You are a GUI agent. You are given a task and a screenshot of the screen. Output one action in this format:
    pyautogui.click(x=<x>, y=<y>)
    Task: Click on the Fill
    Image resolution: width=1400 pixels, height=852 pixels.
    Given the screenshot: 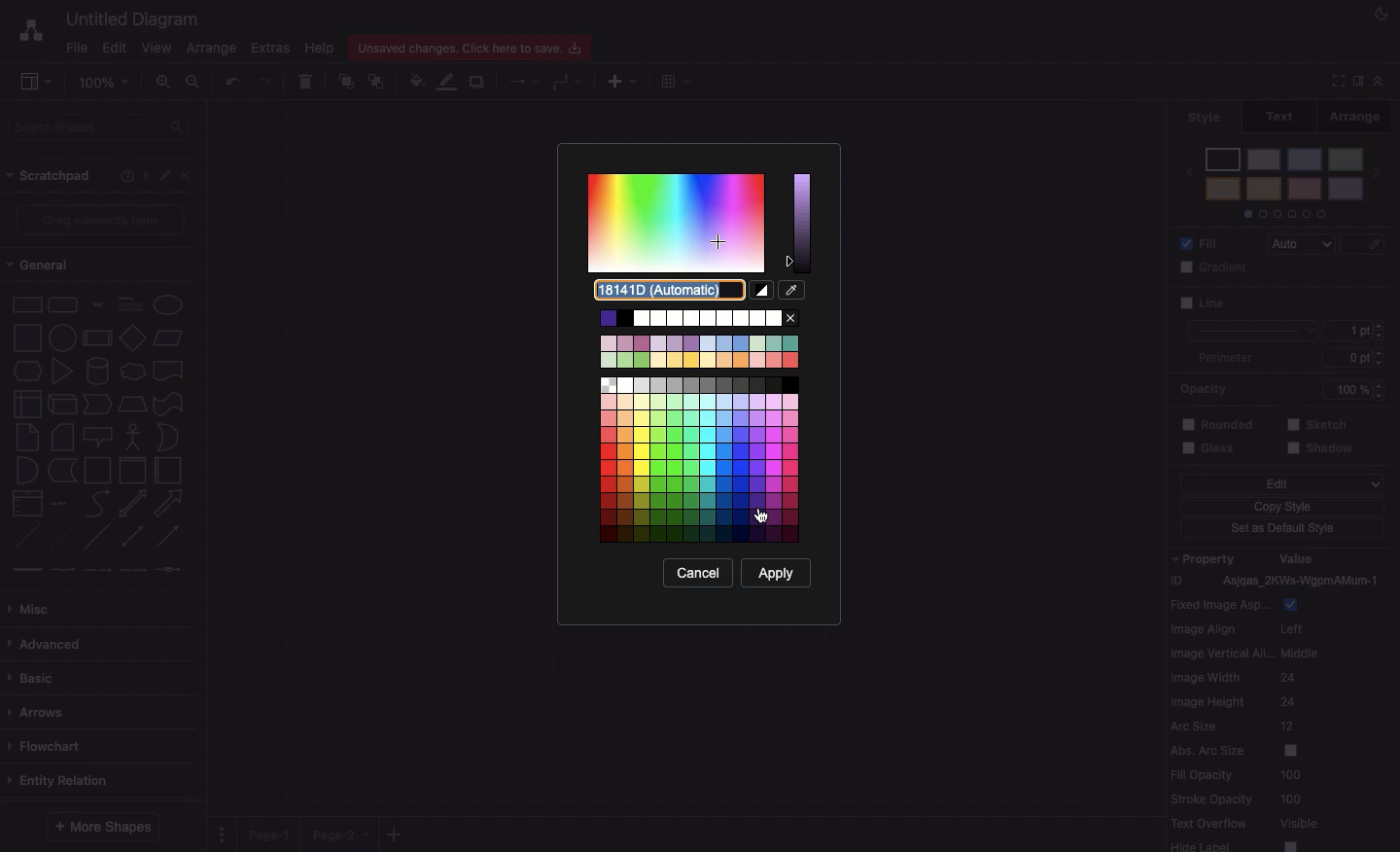 What is the action you would take?
    pyautogui.click(x=1204, y=242)
    